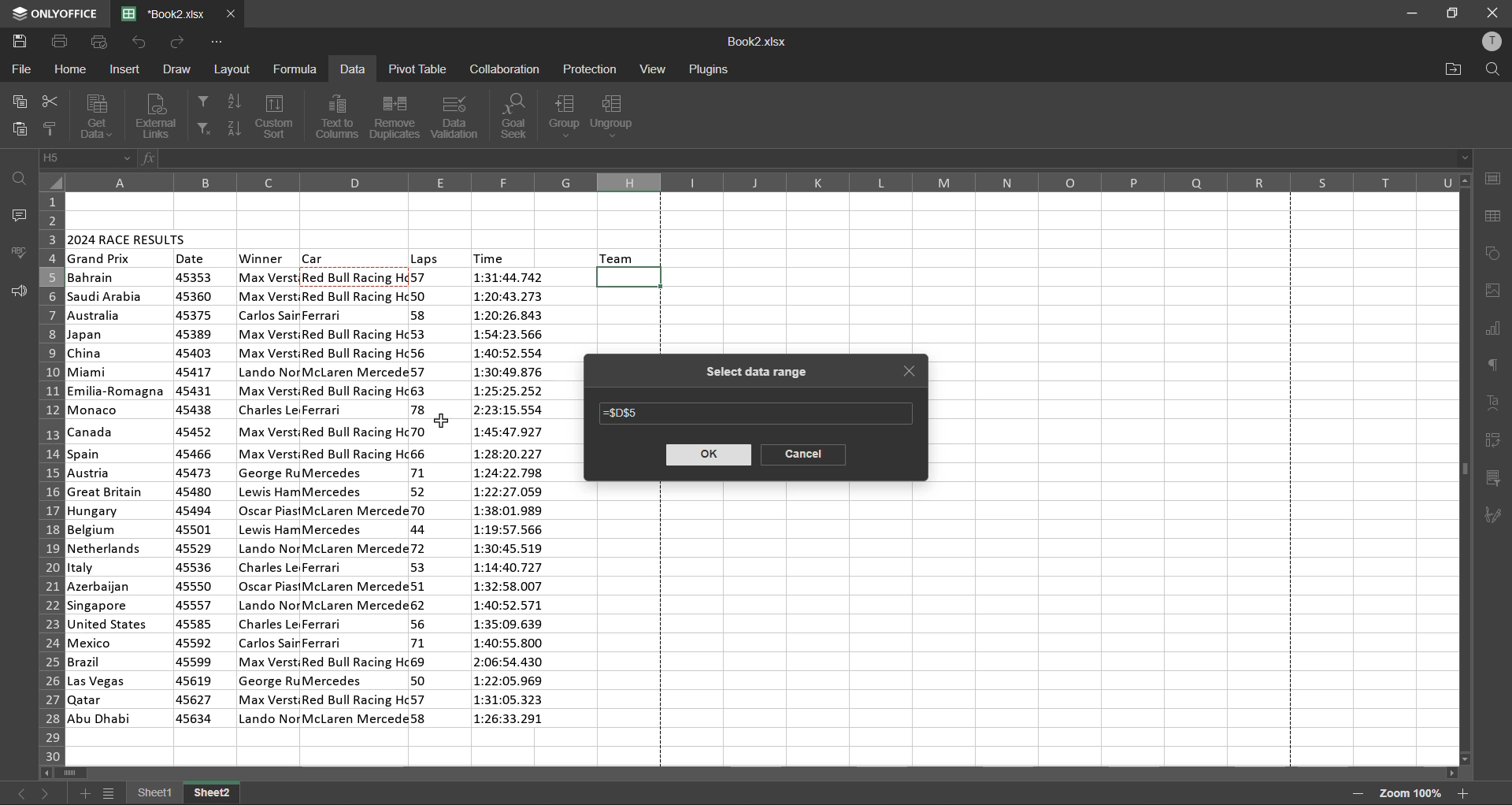  What do you see at coordinates (24, 42) in the screenshot?
I see `save` at bounding box center [24, 42].